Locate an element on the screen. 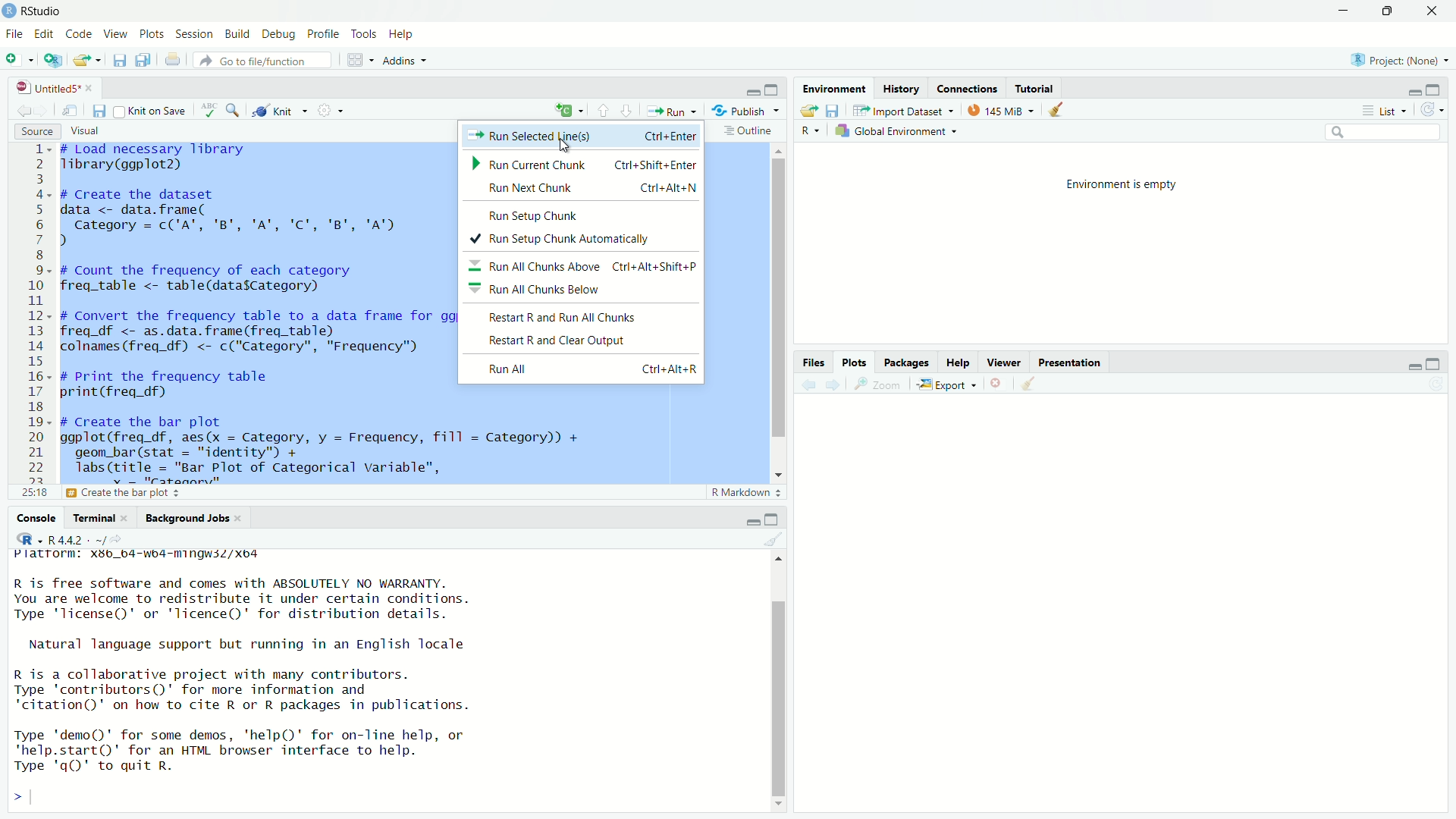 The height and width of the screenshot is (819, 1456). minimize is located at coordinates (1413, 91).